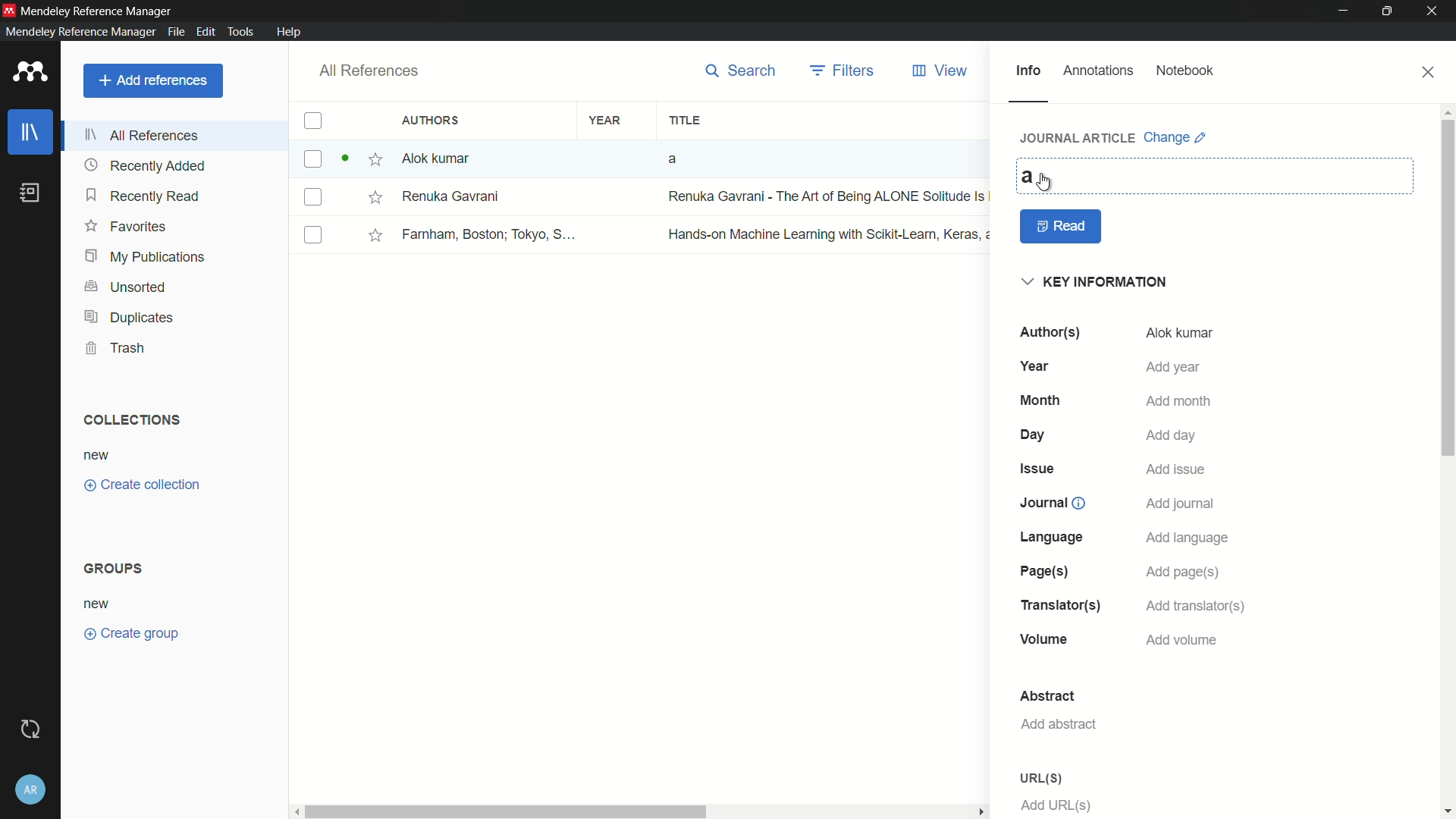 The height and width of the screenshot is (819, 1456). I want to click on sync, so click(33, 730).